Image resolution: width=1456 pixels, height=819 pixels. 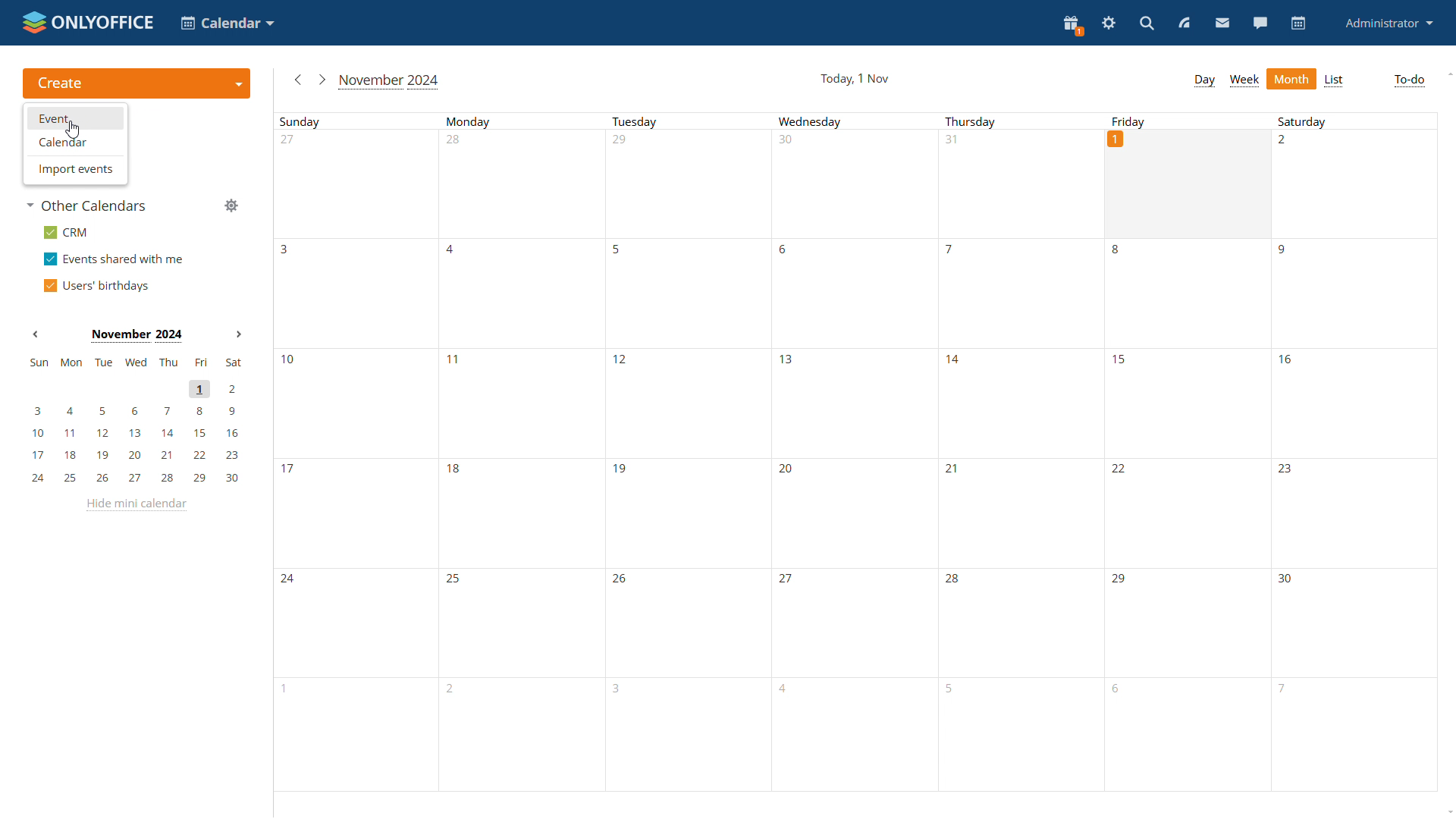 I want to click on view, so click(x=1185, y=23).